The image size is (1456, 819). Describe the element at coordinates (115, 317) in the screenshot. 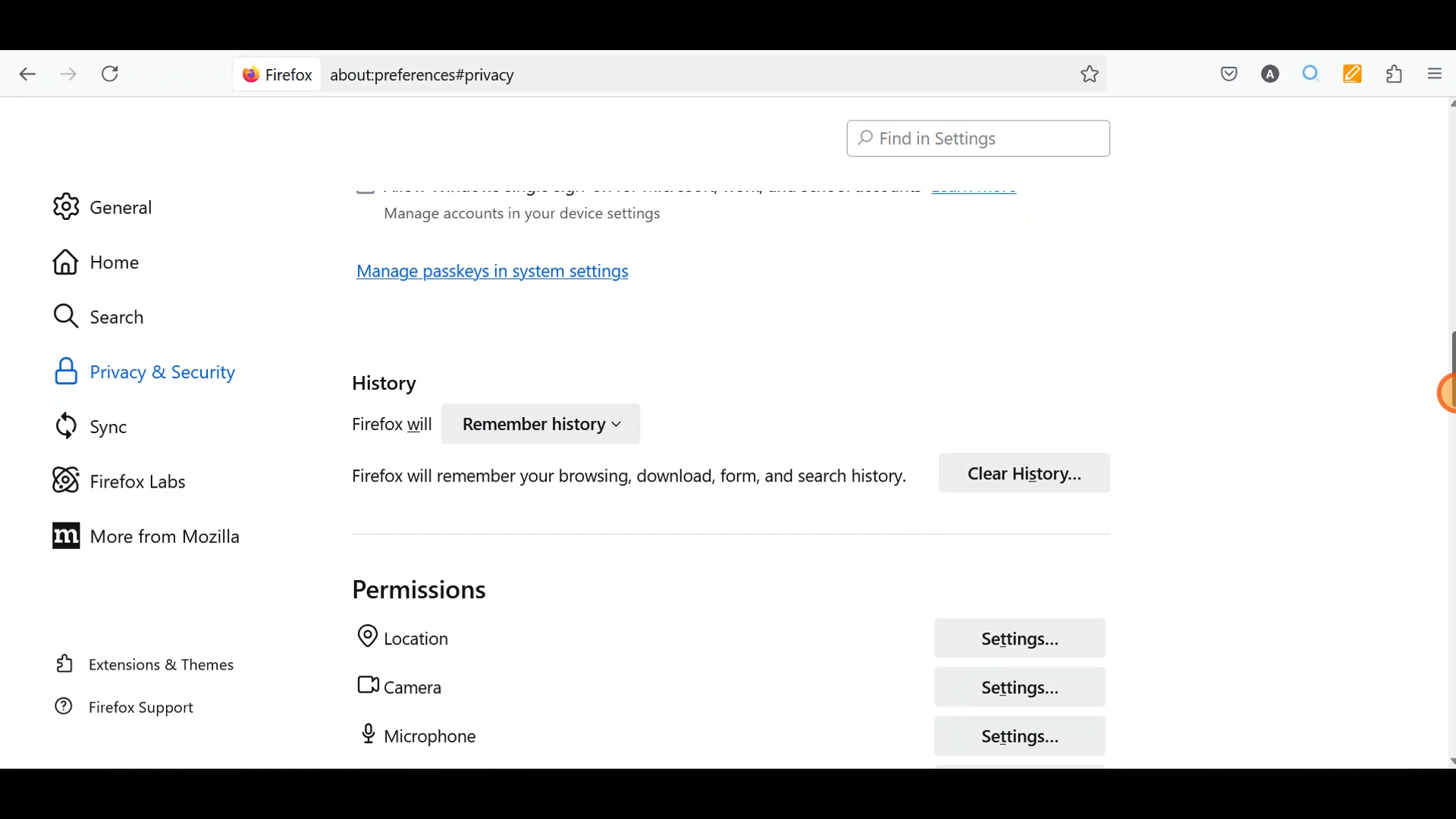

I see `Search icon` at that location.